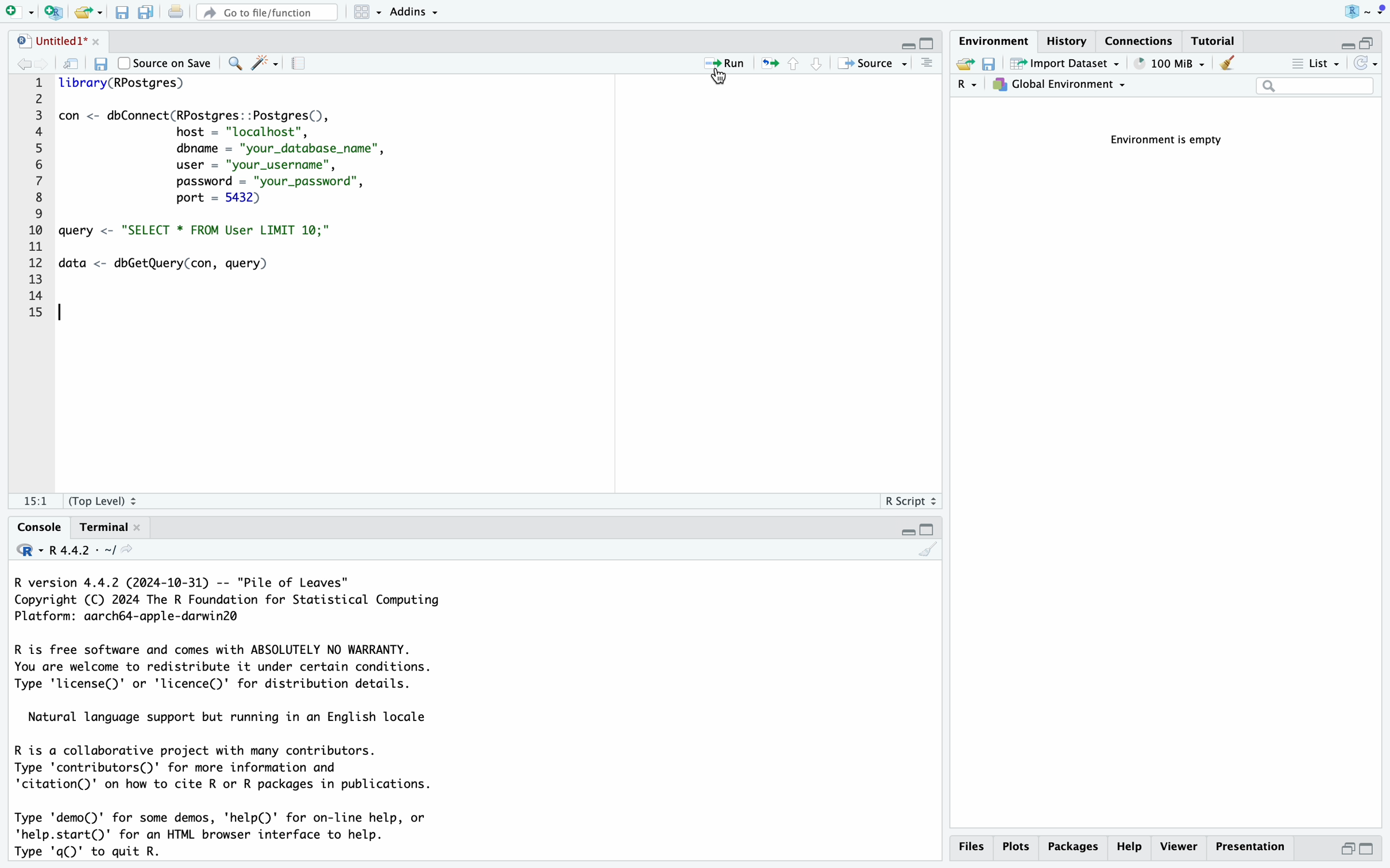 This screenshot has width=1390, height=868. Describe the element at coordinates (993, 65) in the screenshot. I see `save workspace as` at that location.